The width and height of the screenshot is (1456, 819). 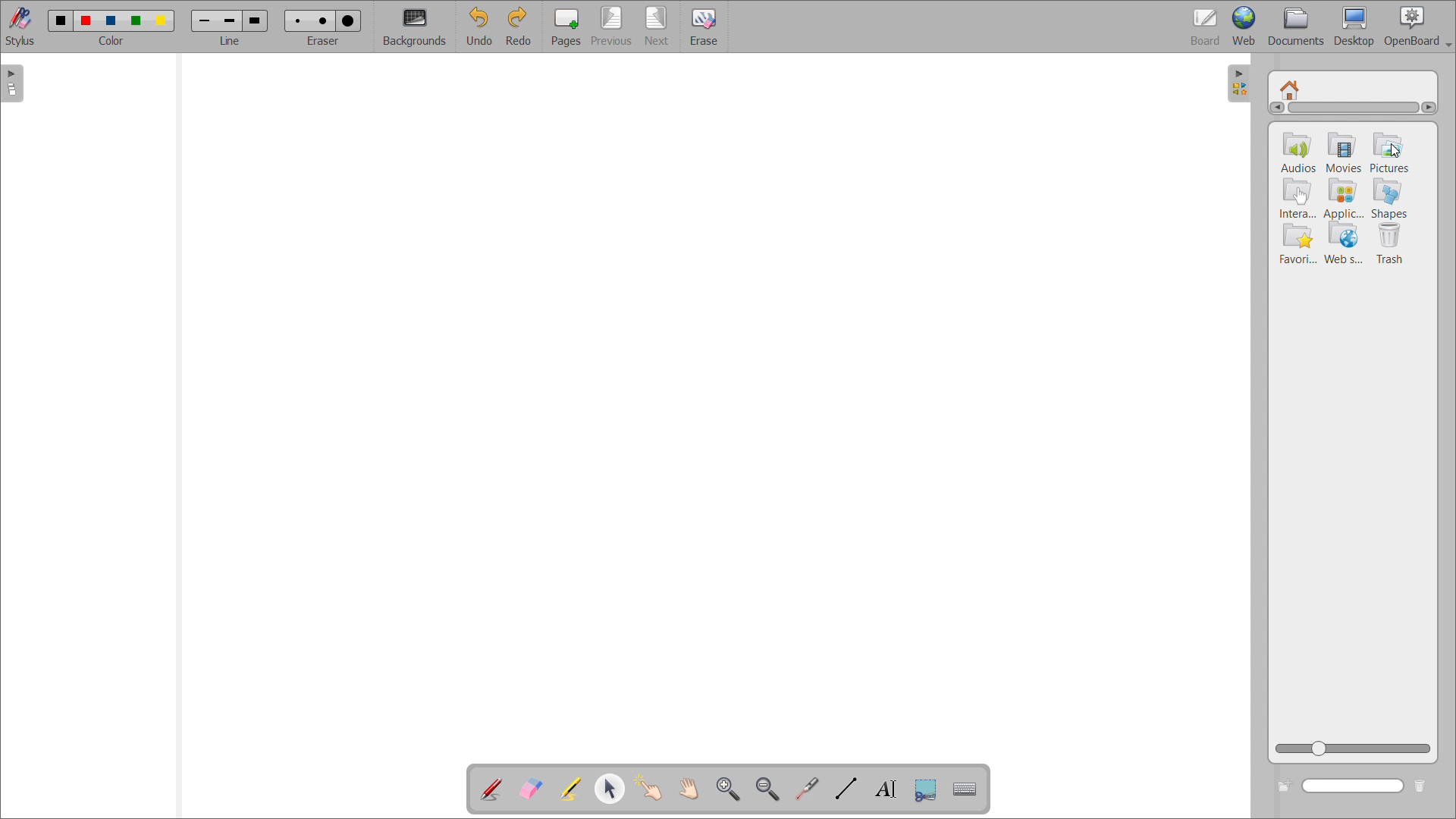 What do you see at coordinates (1245, 27) in the screenshot?
I see `web` at bounding box center [1245, 27].